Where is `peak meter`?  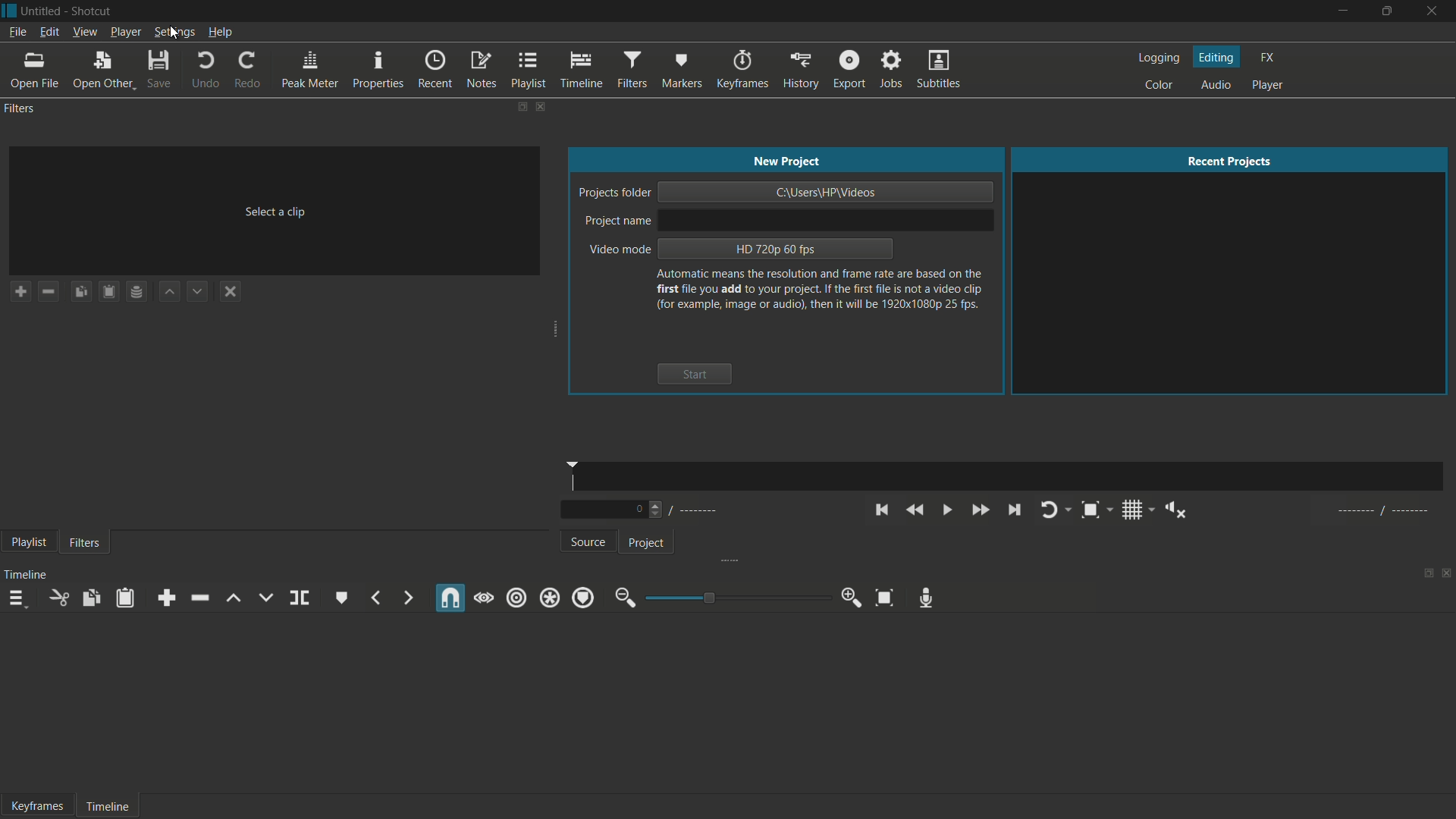
peak meter is located at coordinates (312, 71).